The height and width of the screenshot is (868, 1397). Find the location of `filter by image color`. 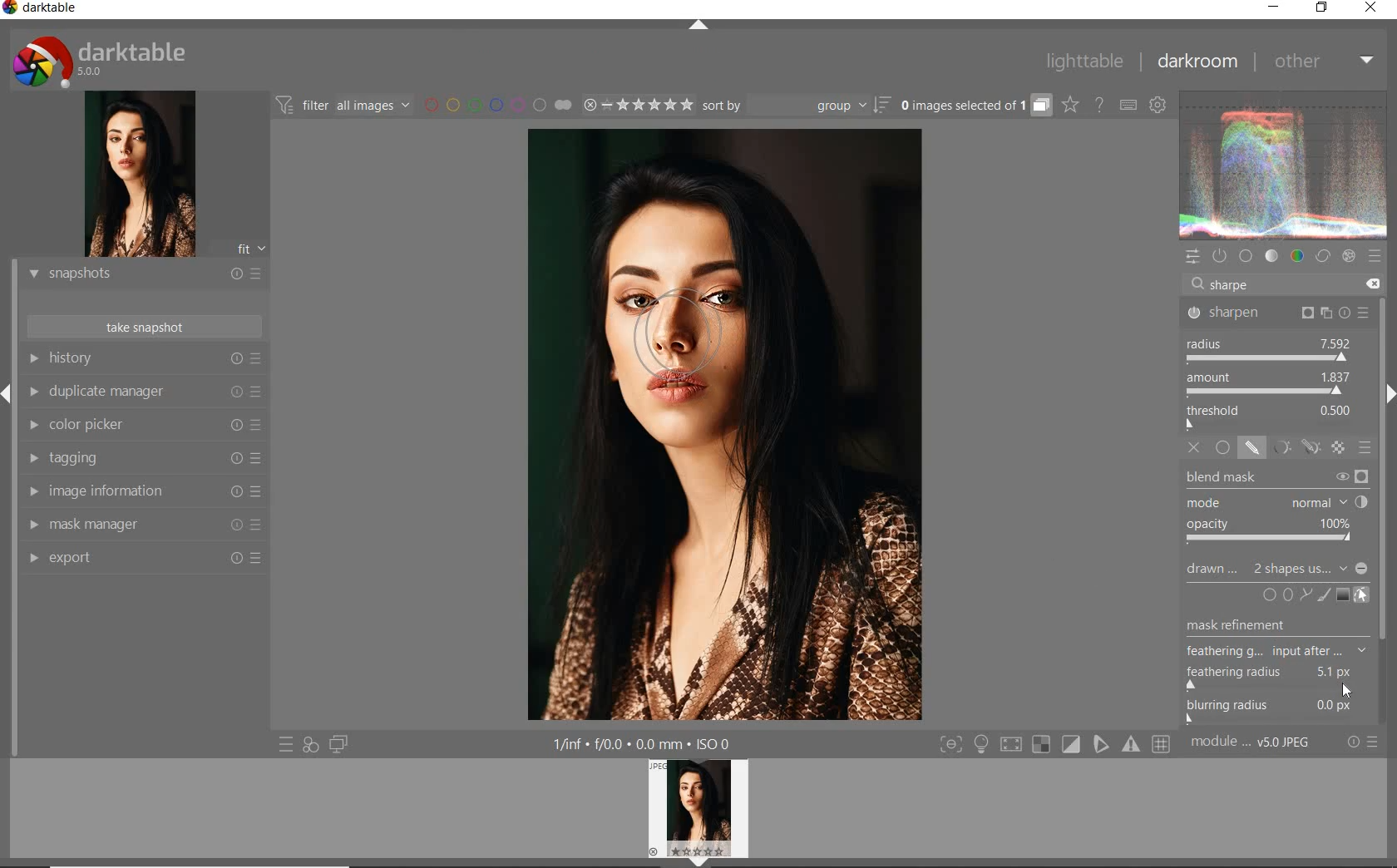

filter by image color is located at coordinates (497, 104).